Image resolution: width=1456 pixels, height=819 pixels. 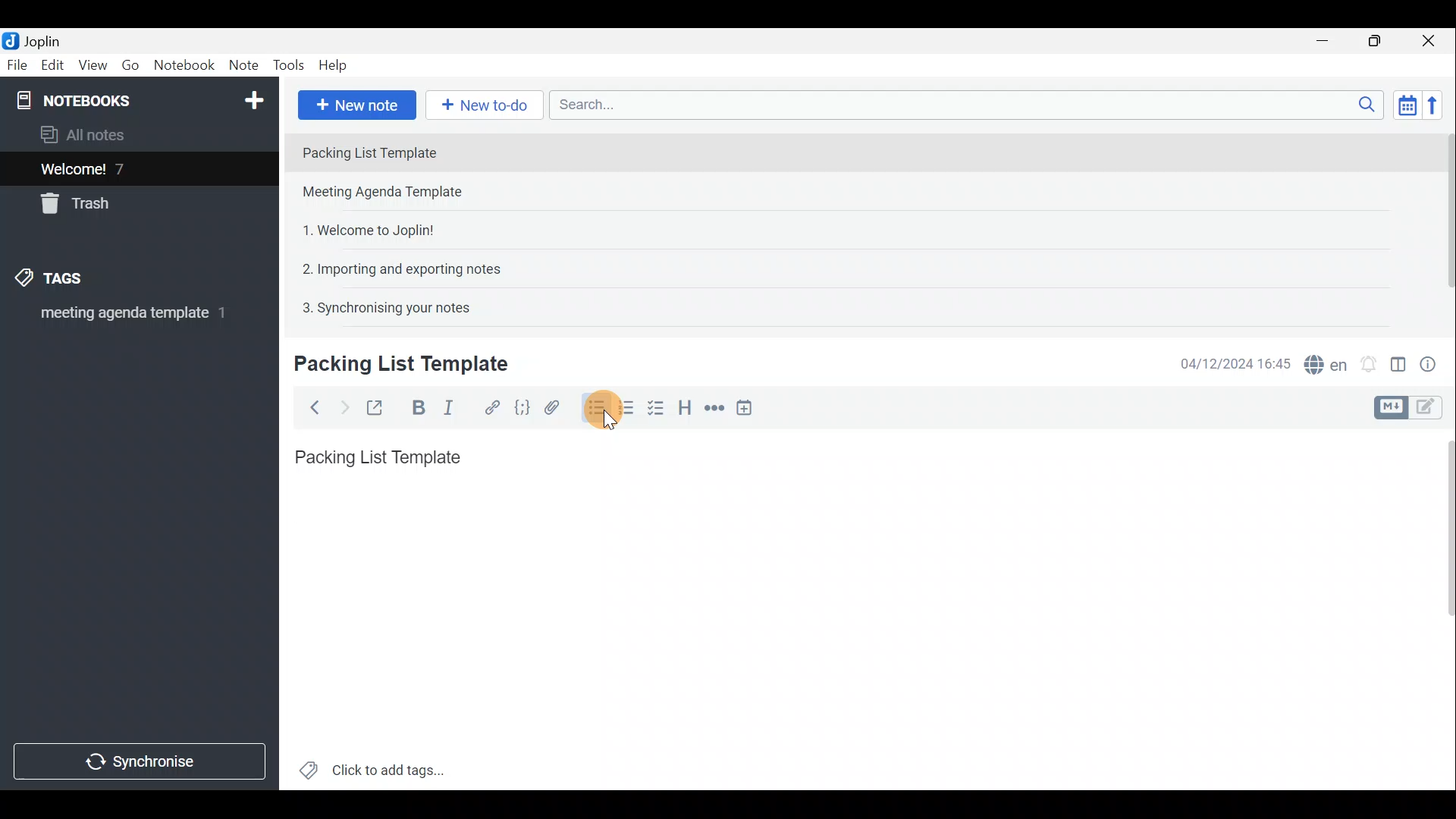 What do you see at coordinates (88, 134) in the screenshot?
I see `All notes` at bounding box center [88, 134].